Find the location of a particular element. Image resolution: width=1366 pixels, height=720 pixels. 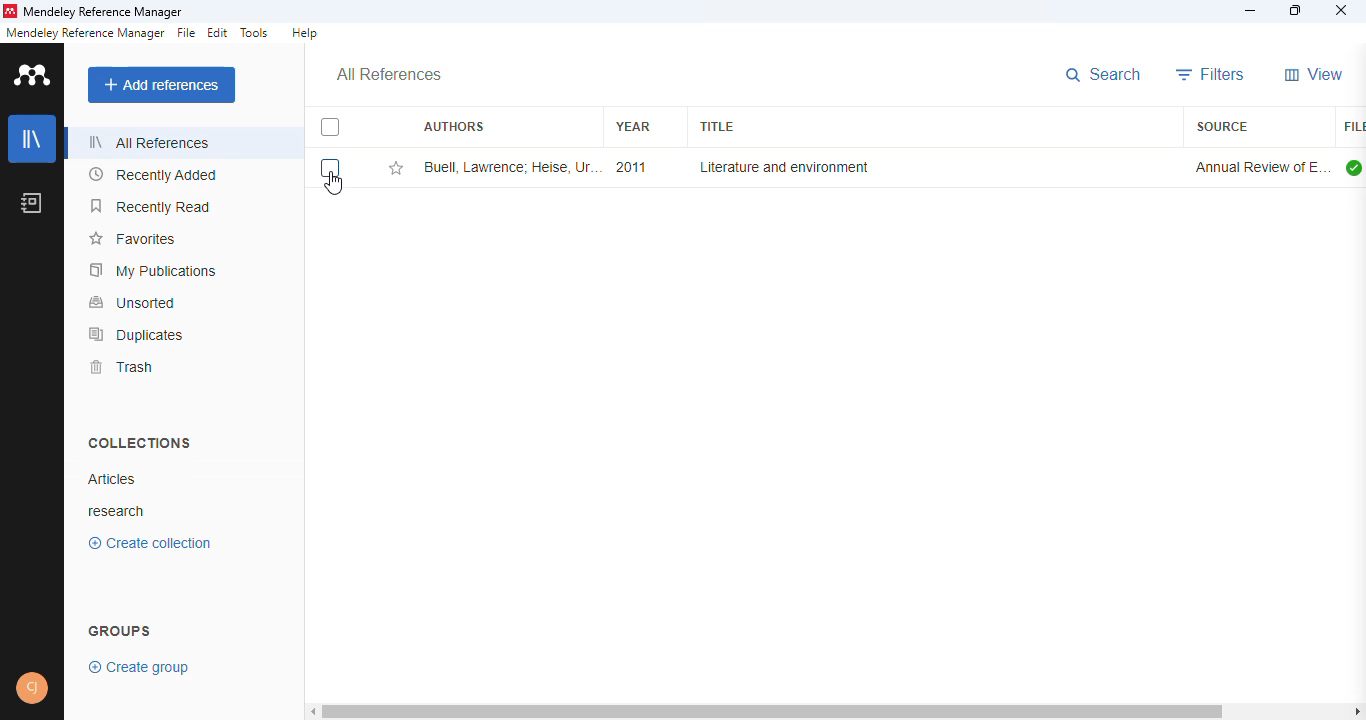

year is located at coordinates (633, 126).